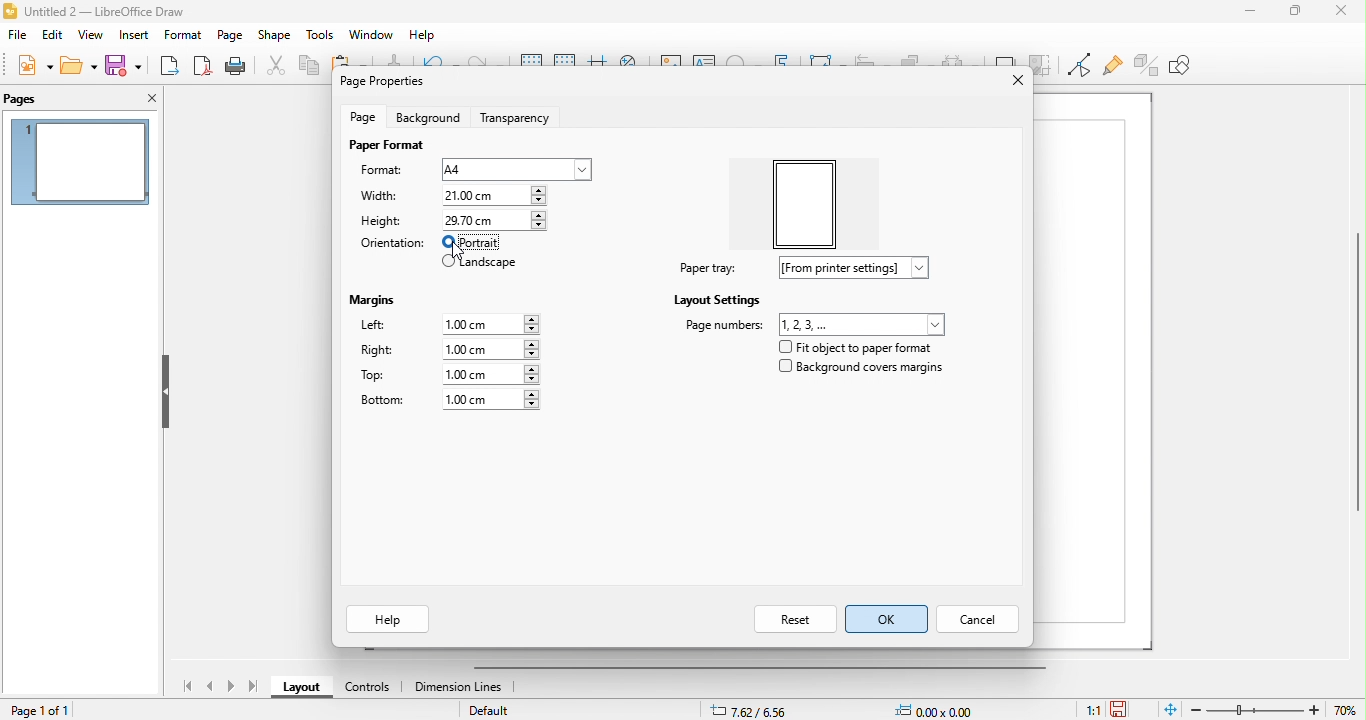  What do you see at coordinates (204, 66) in the screenshot?
I see `export as pdf` at bounding box center [204, 66].